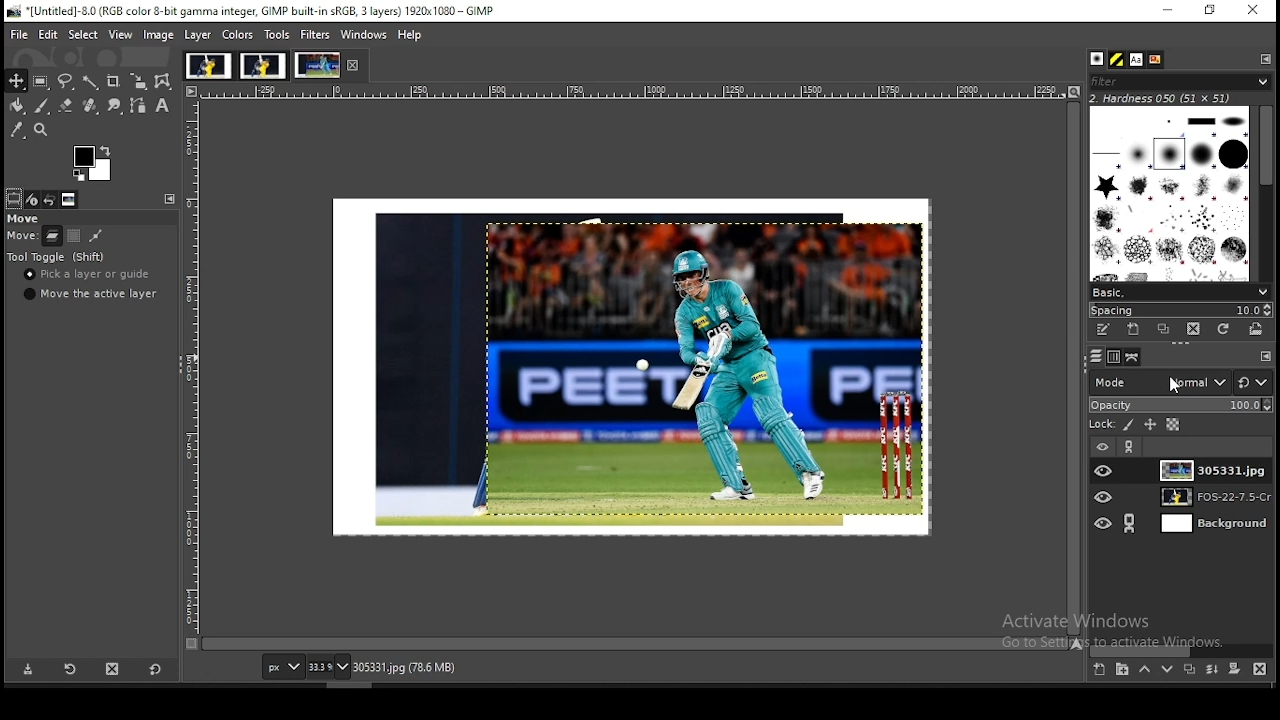 Image resolution: width=1280 pixels, height=720 pixels. What do you see at coordinates (17, 81) in the screenshot?
I see `move tool` at bounding box center [17, 81].